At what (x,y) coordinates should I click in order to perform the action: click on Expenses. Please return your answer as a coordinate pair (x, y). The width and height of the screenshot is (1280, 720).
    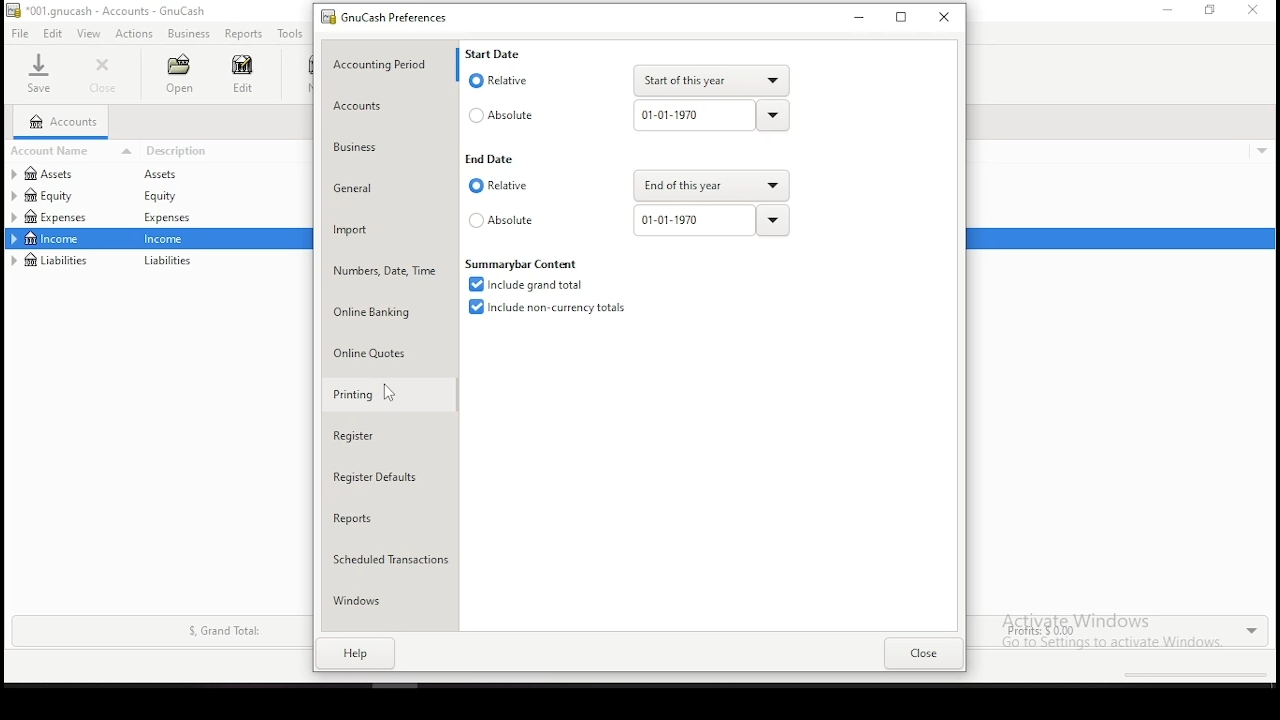
    Looking at the image, I should click on (165, 219).